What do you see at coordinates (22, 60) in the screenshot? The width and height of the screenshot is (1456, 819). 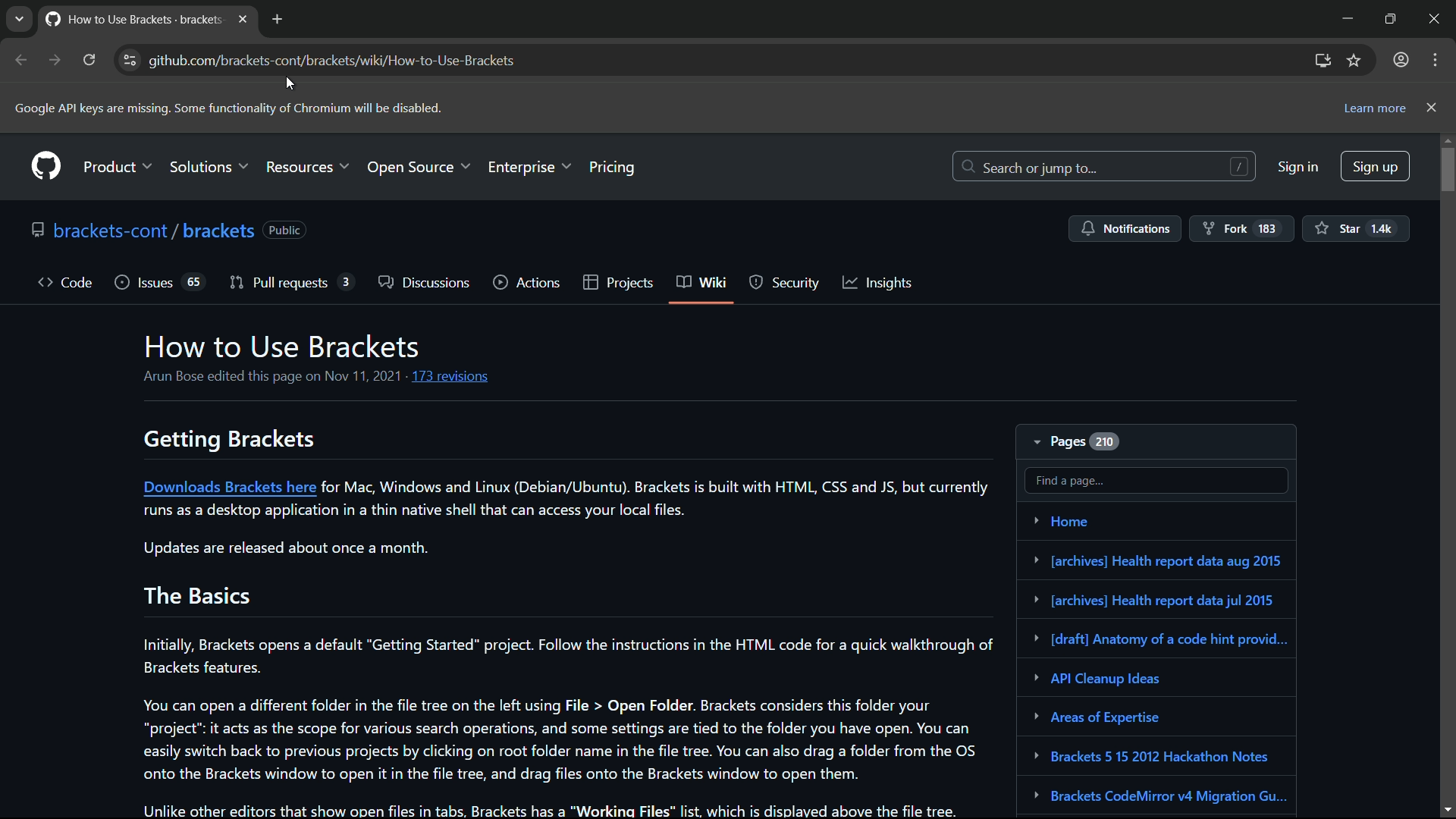 I see `back` at bounding box center [22, 60].